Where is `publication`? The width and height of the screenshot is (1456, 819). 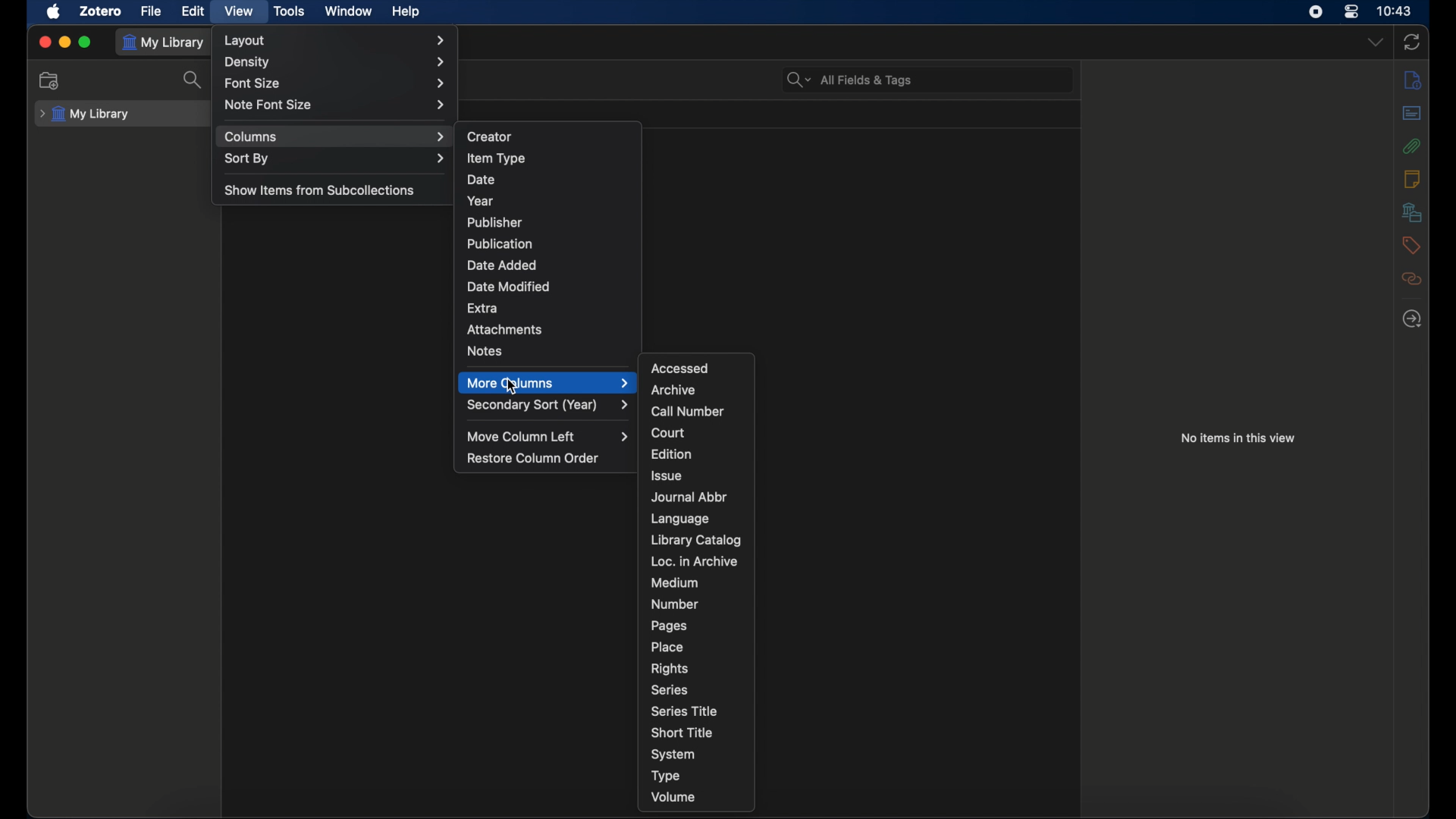 publication is located at coordinates (500, 243).